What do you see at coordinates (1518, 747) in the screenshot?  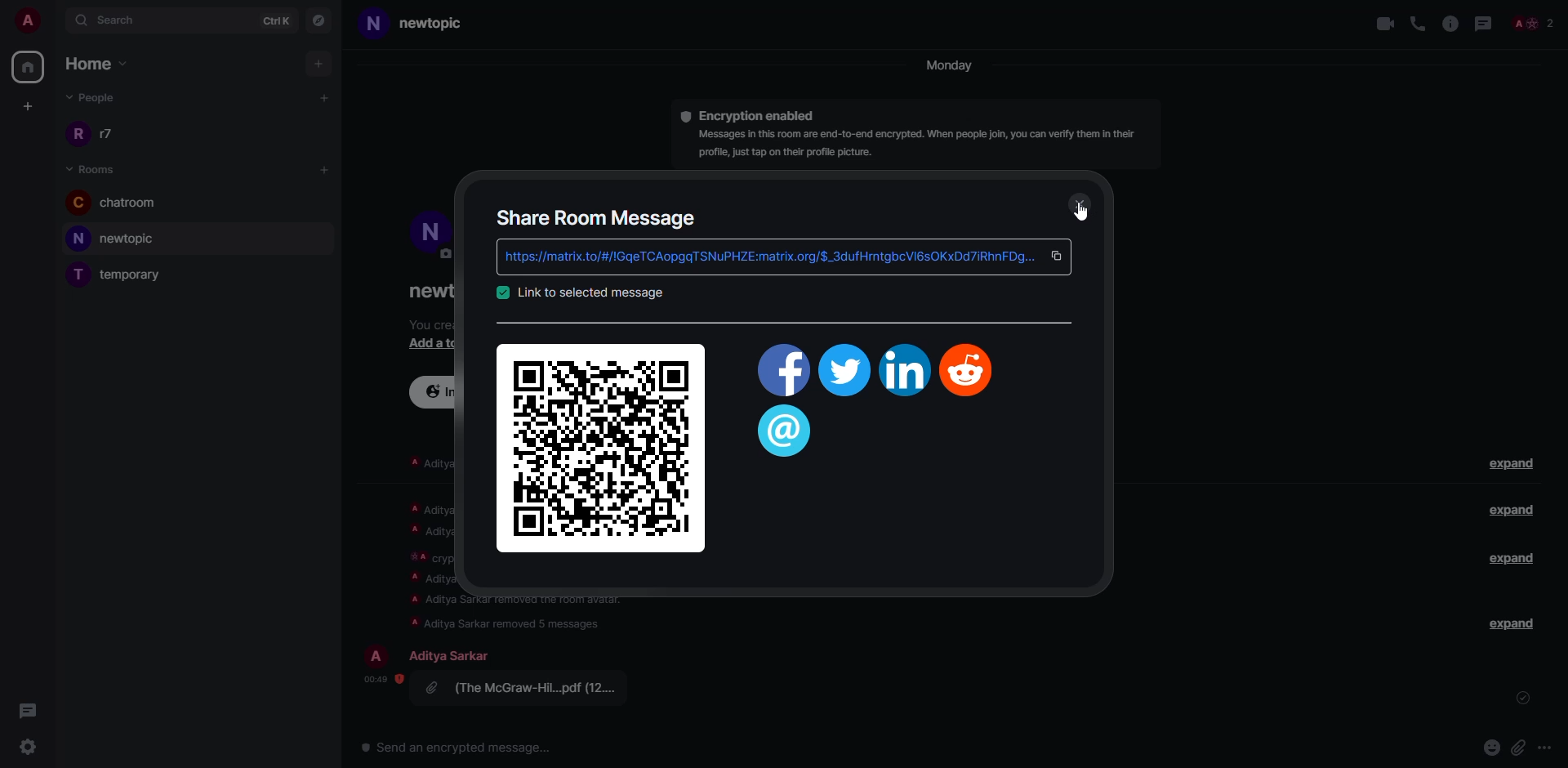 I see `attach` at bounding box center [1518, 747].